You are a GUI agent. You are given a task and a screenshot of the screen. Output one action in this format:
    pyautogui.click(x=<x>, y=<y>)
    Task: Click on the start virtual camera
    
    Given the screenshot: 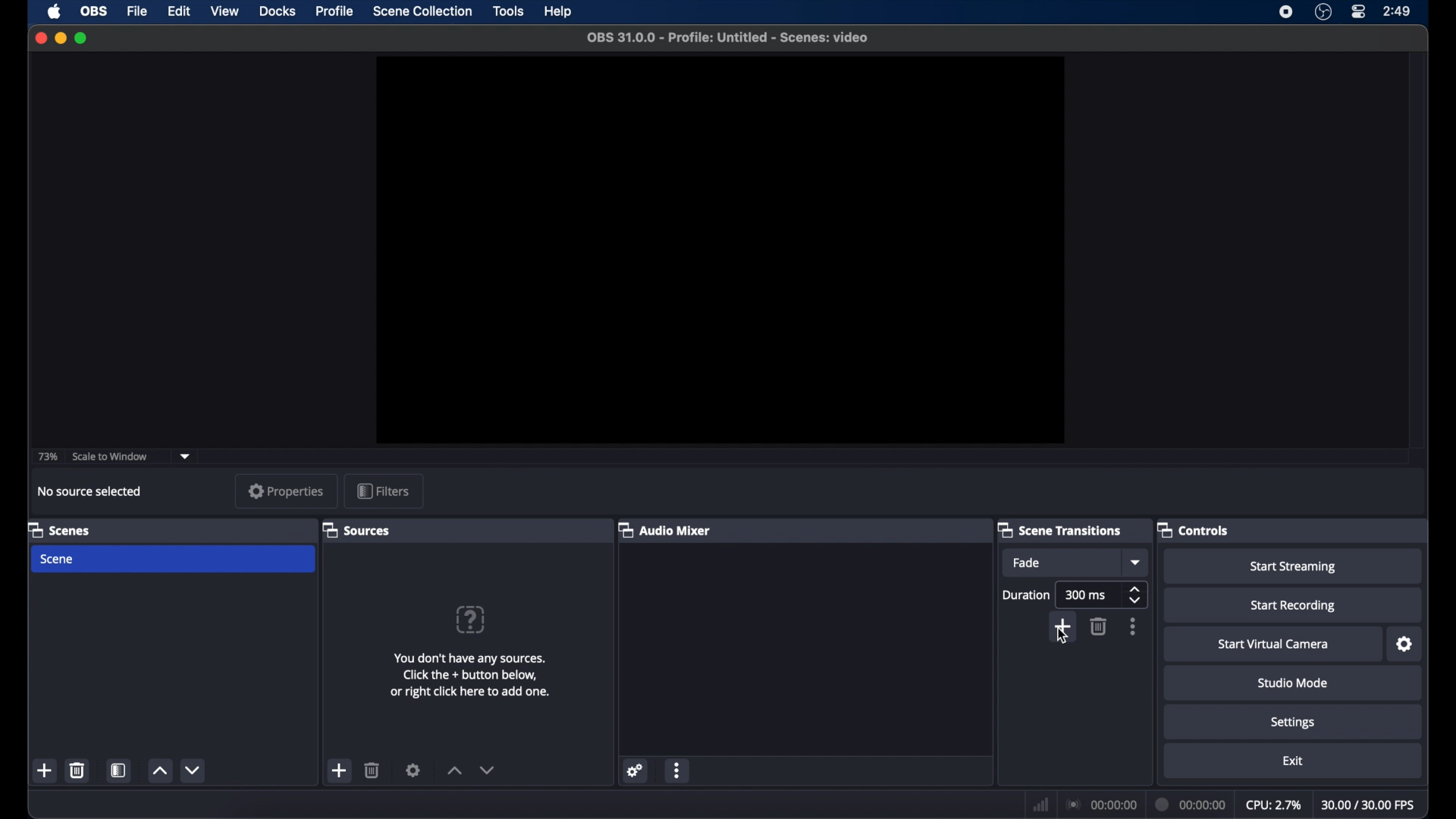 What is the action you would take?
    pyautogui.click(x=1273, y=645)
    